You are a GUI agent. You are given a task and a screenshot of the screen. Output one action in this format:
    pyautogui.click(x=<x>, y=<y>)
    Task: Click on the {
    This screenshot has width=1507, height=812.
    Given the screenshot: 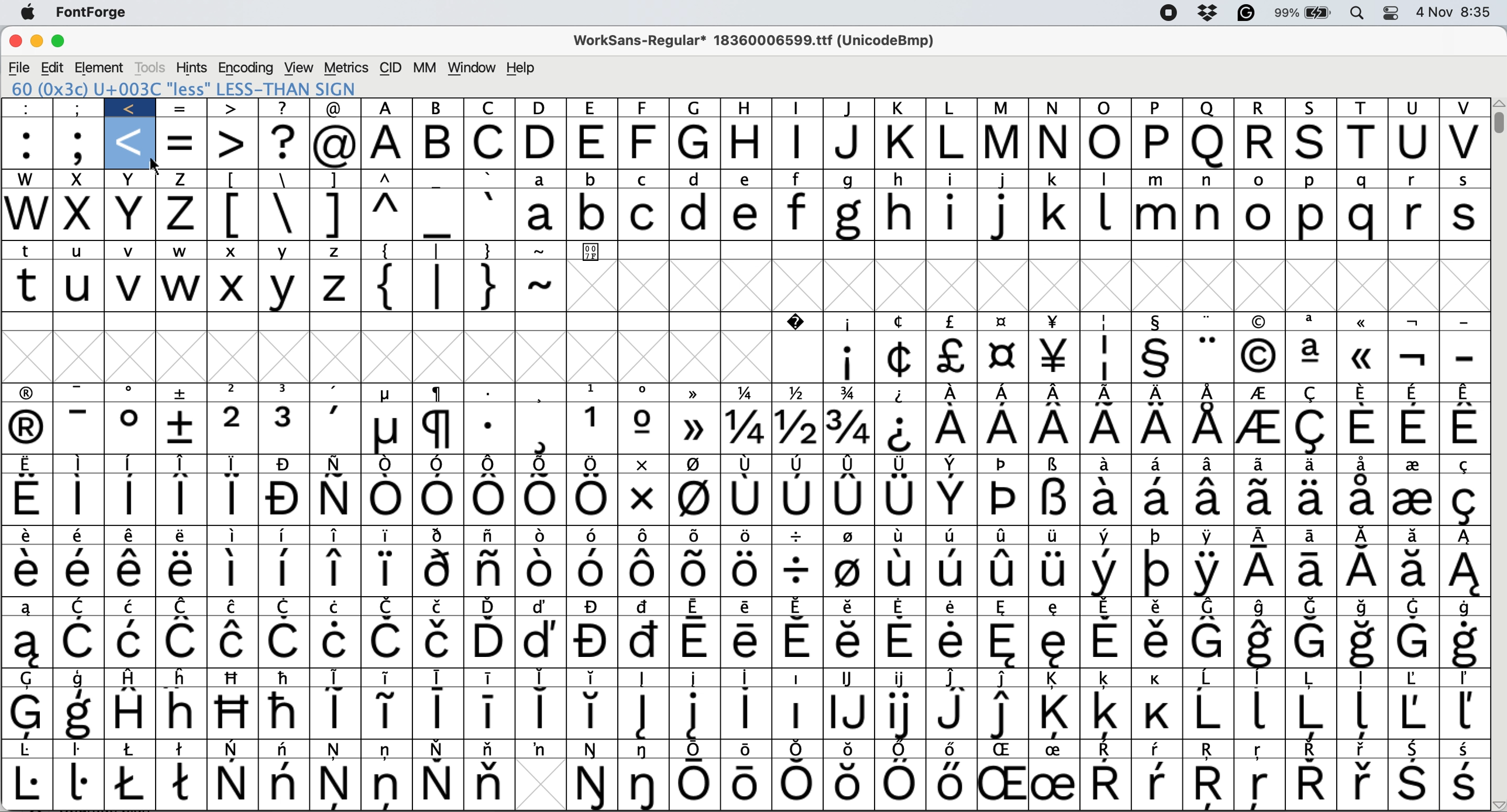 What is the action you would take?
    pyautogui.click(x=387, y=286)
    